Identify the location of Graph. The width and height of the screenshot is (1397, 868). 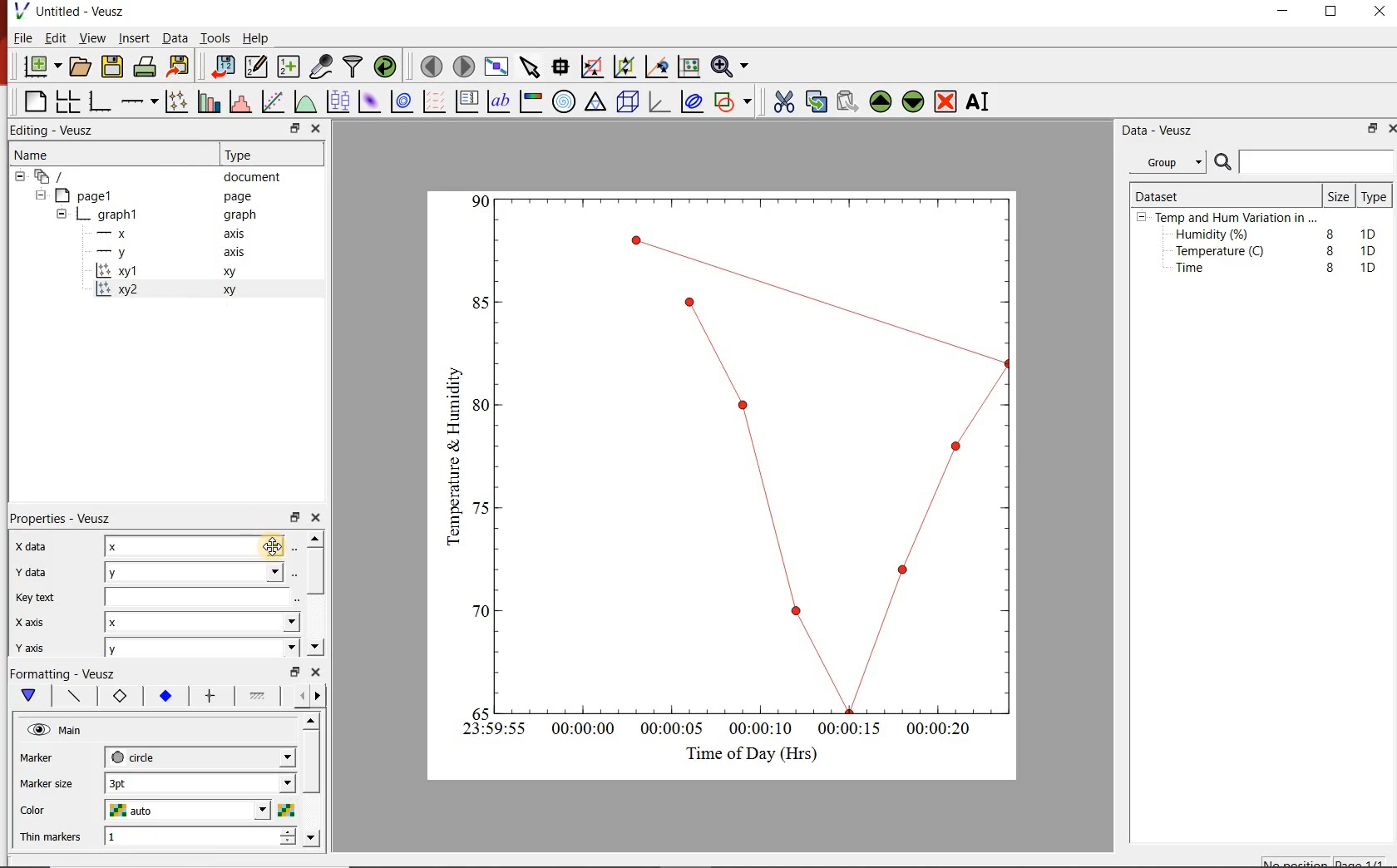
(758, 451).